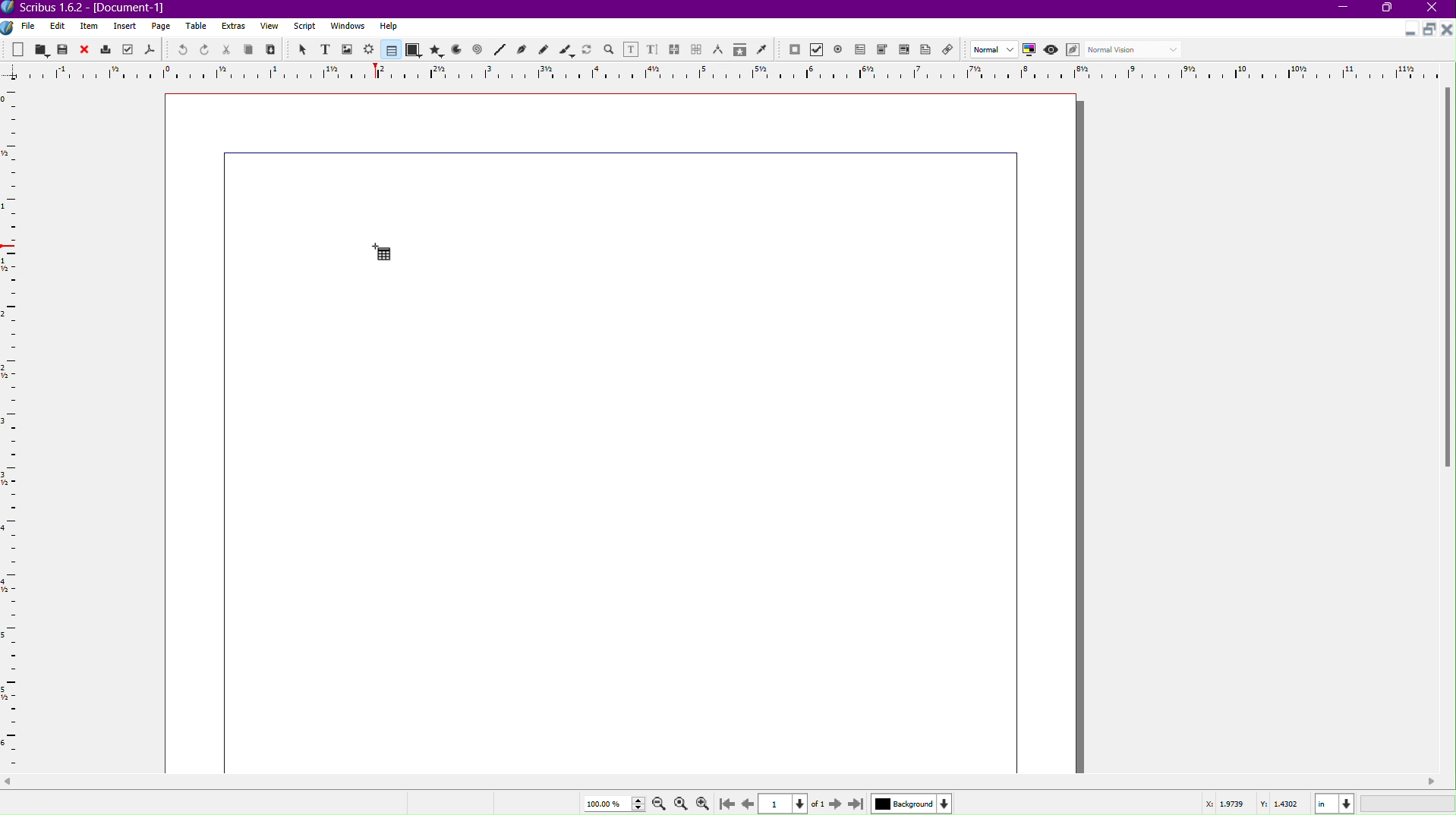 The width and height of the screenshot is (1456, 815). What do you see at coordinates (632, 49) in the screenshot?
I see `Edit Contents of Frame` at bounding box center [632, 49].